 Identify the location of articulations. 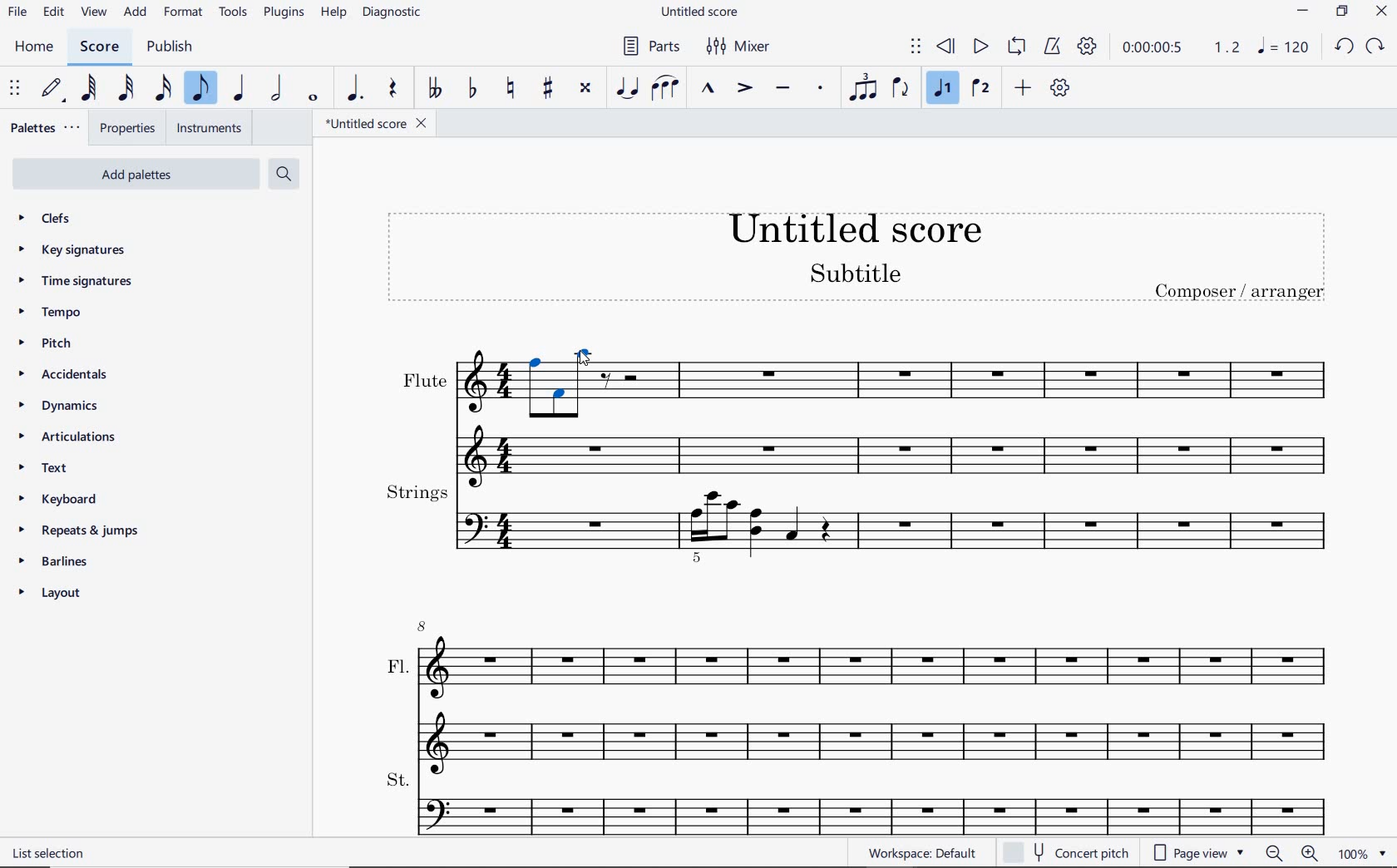
(67, 437).